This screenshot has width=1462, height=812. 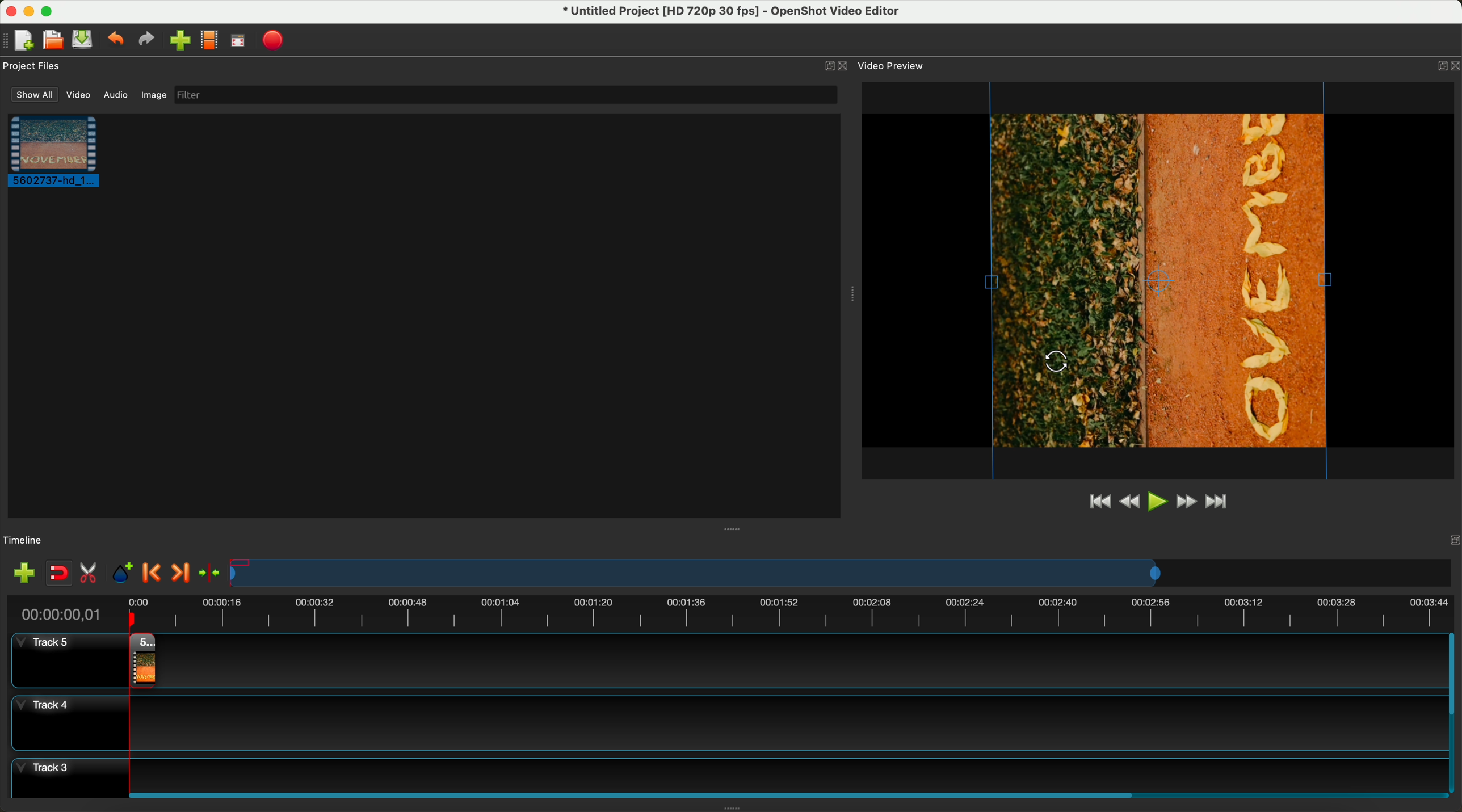 What do you see at coordinates (91, 574) in the screenshot?
I see `enable razor` at bounding box center [91, 574].